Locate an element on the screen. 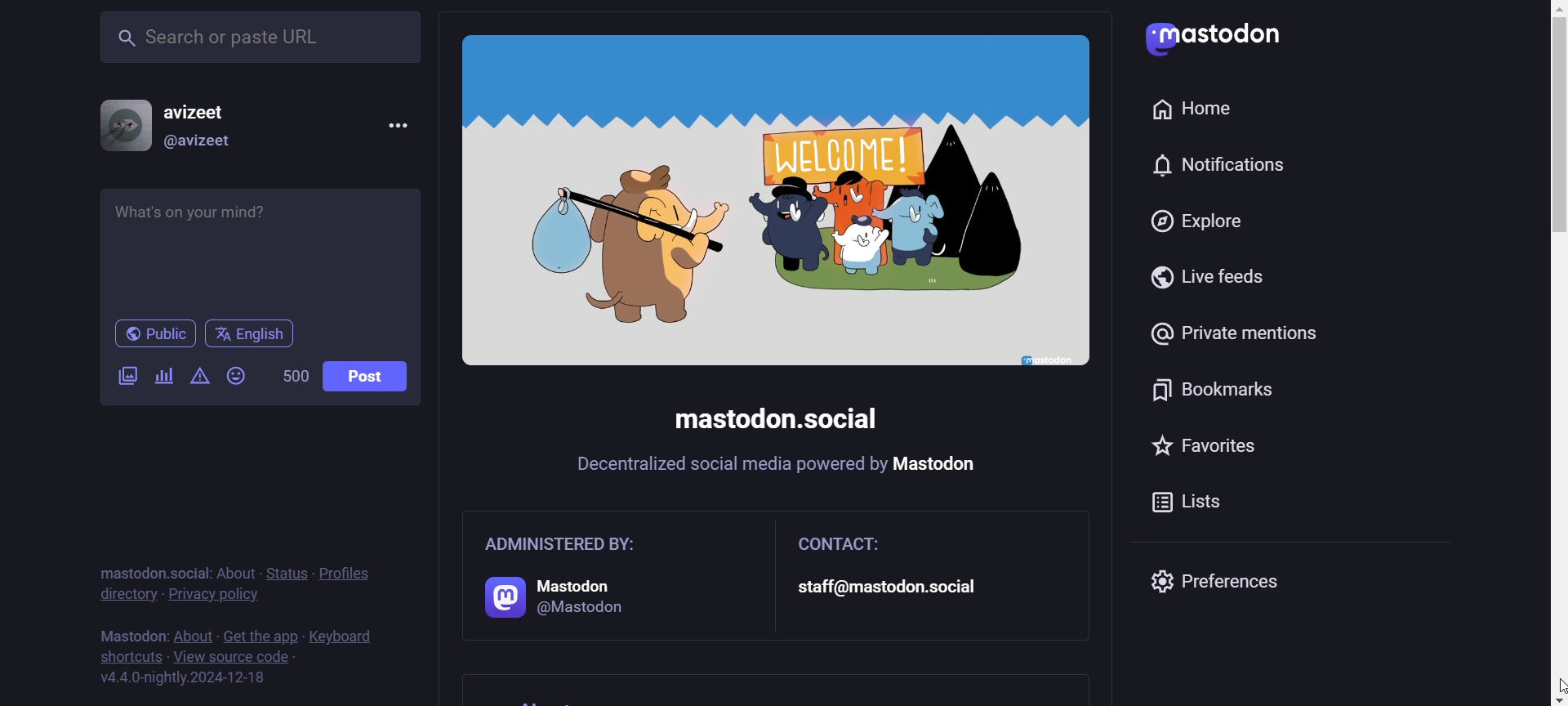 This screenshot has width=1568, height=706. preferences is located at coordinates (1237, 584).